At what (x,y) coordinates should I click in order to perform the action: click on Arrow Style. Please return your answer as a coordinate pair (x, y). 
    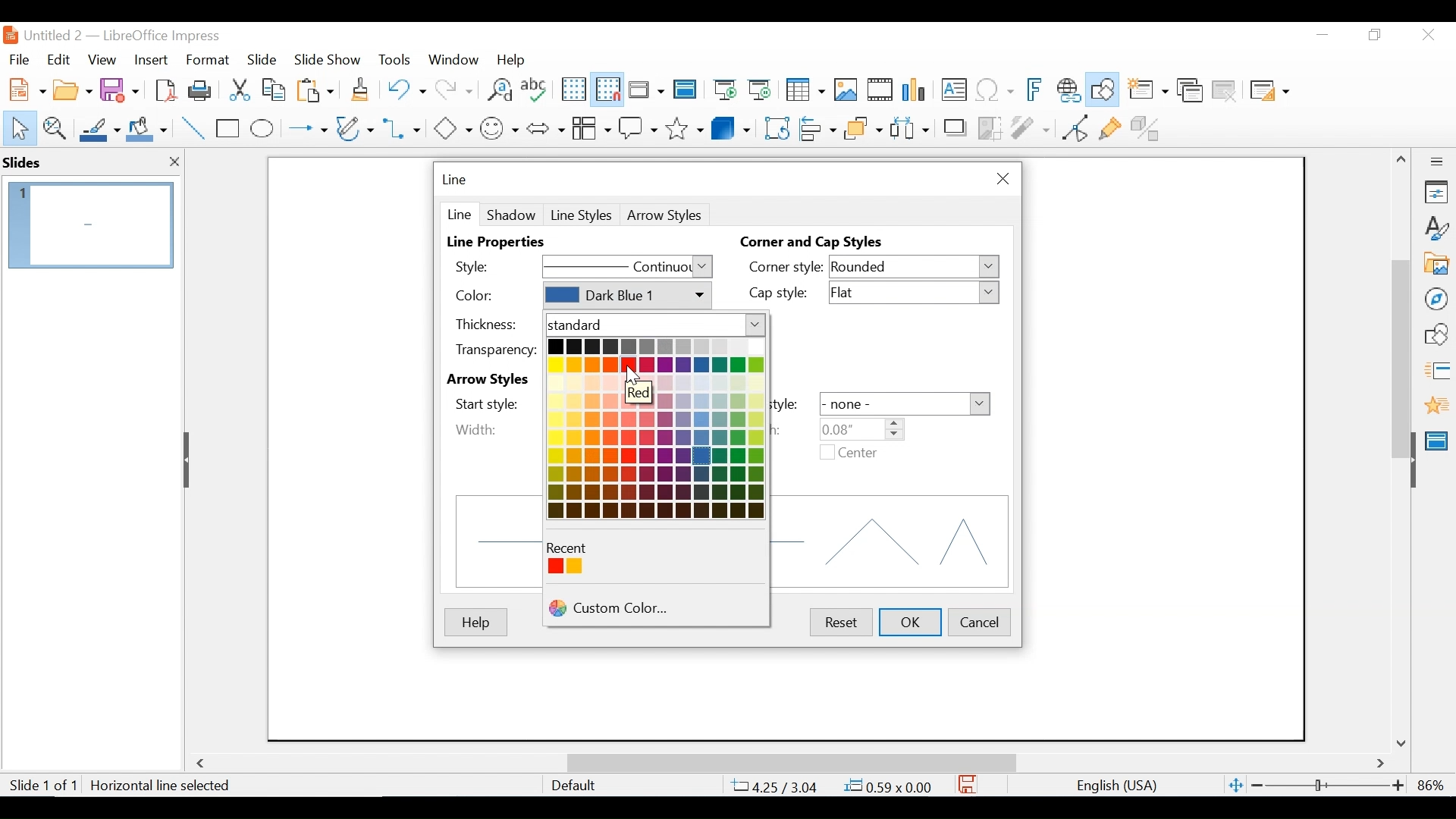
    Looking at the image, I should click on (667, 215).